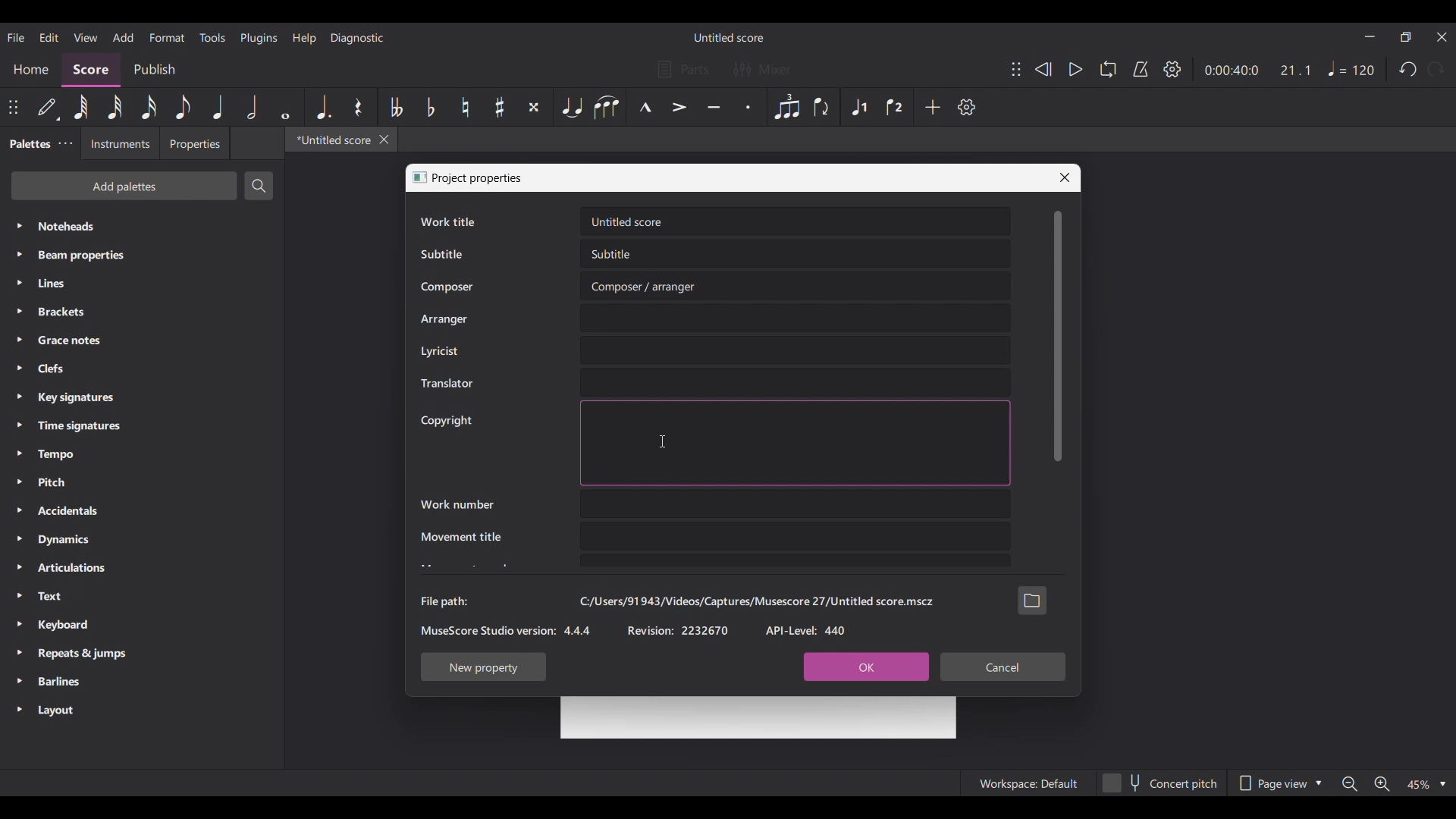  Describe the element at coordinates (49, 108) in the screenshot. I see `Default` at that location.